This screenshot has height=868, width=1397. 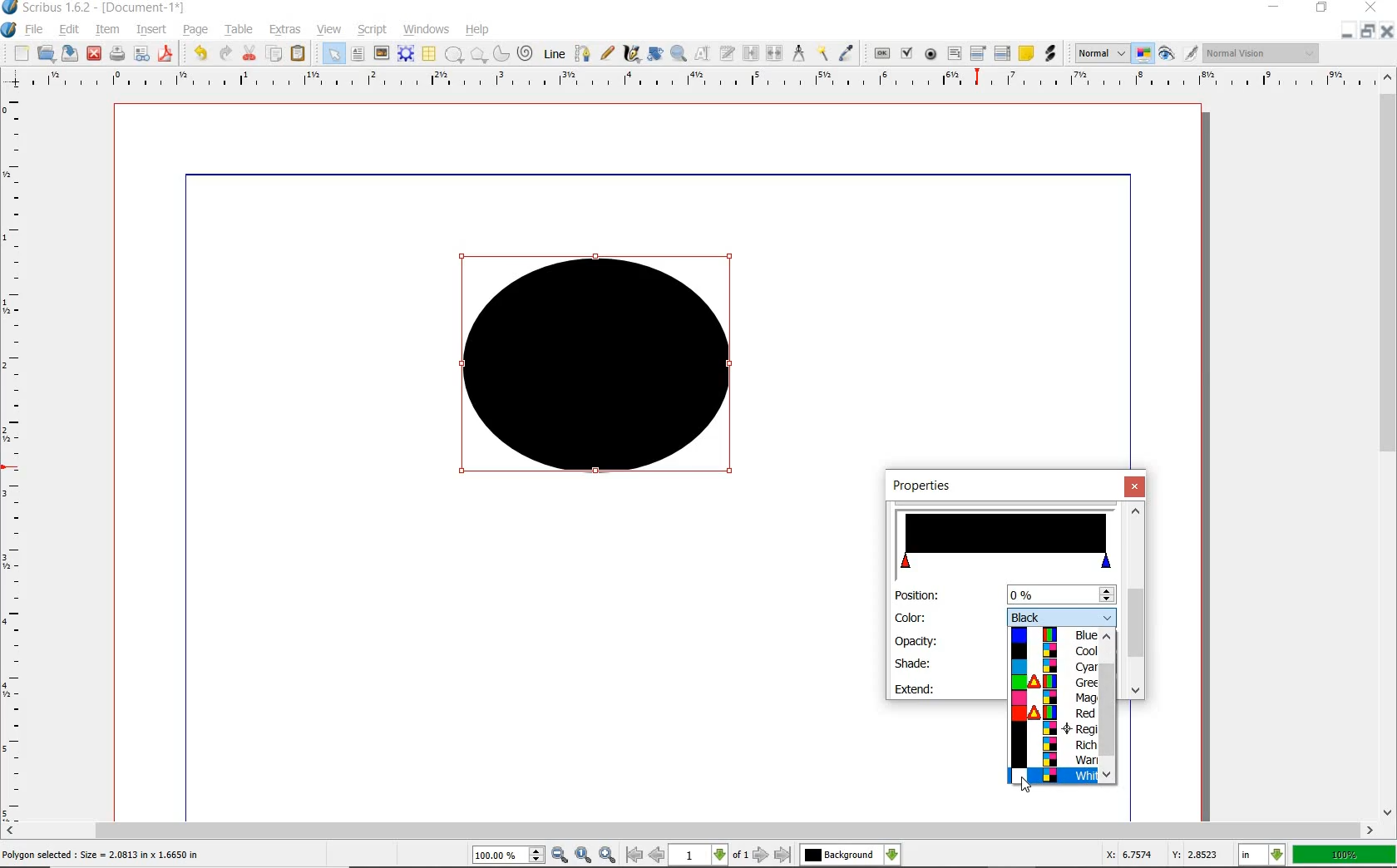 What do you see at coordinates (847, 54) in the screenshot?
I see `EYE DROPPER` at bounding box center [847, 54].